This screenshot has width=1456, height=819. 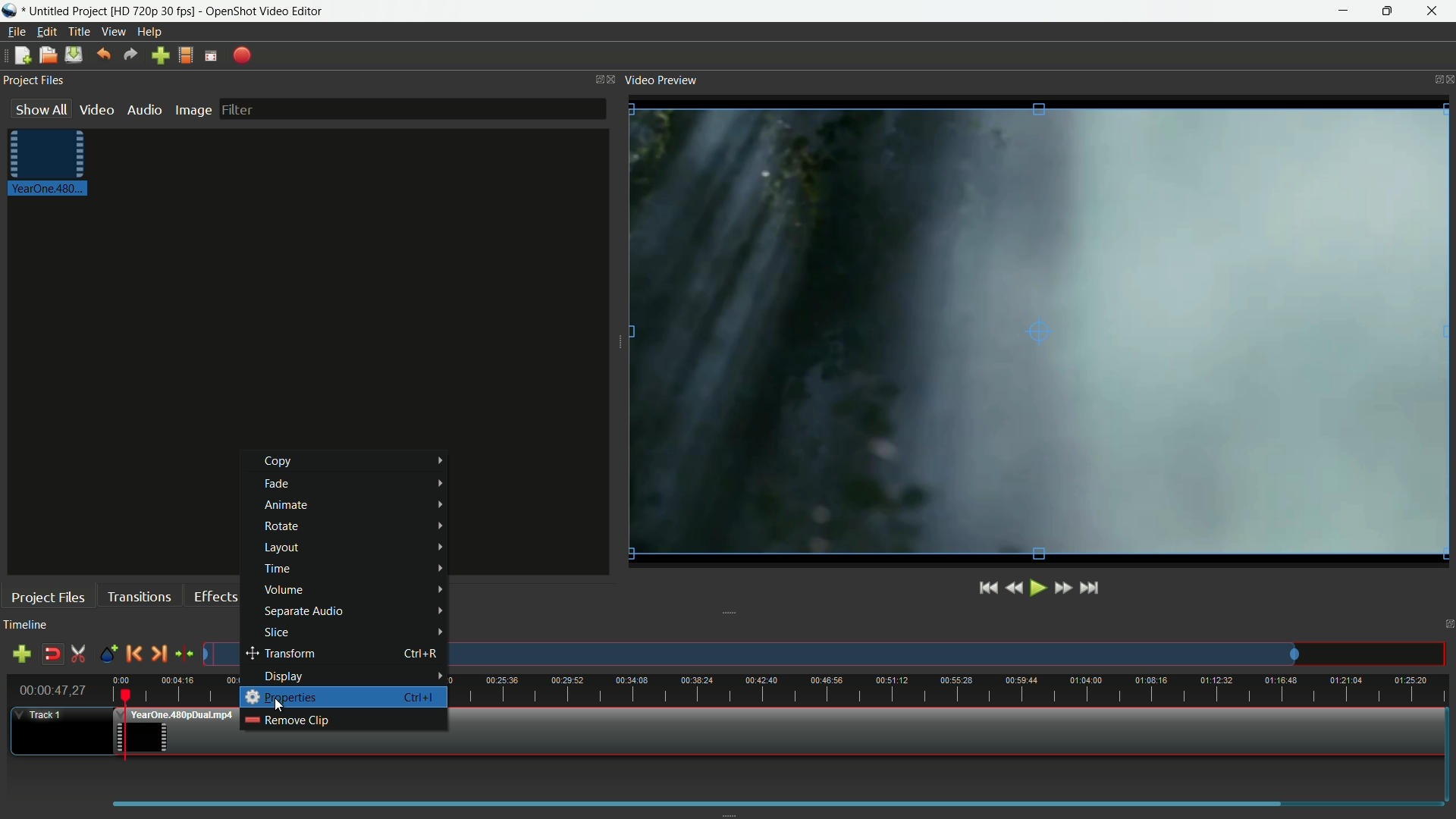 I want to click on disable snap, so click(x=49, y=654).